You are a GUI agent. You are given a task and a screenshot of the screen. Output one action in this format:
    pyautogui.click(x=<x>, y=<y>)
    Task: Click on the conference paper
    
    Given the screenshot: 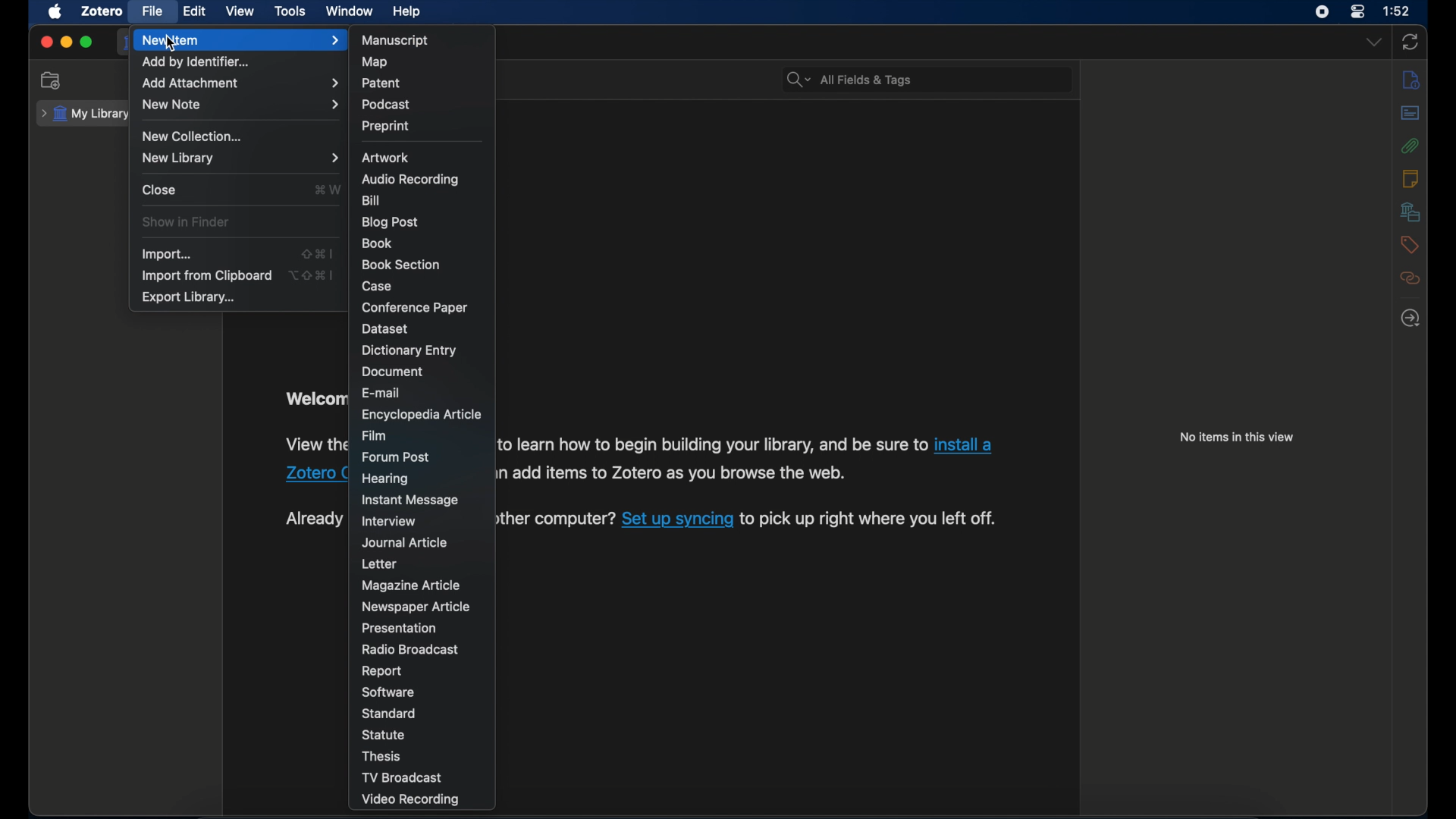 What is the action you would take?
    pyautogui.click(x=415, y=306)
    